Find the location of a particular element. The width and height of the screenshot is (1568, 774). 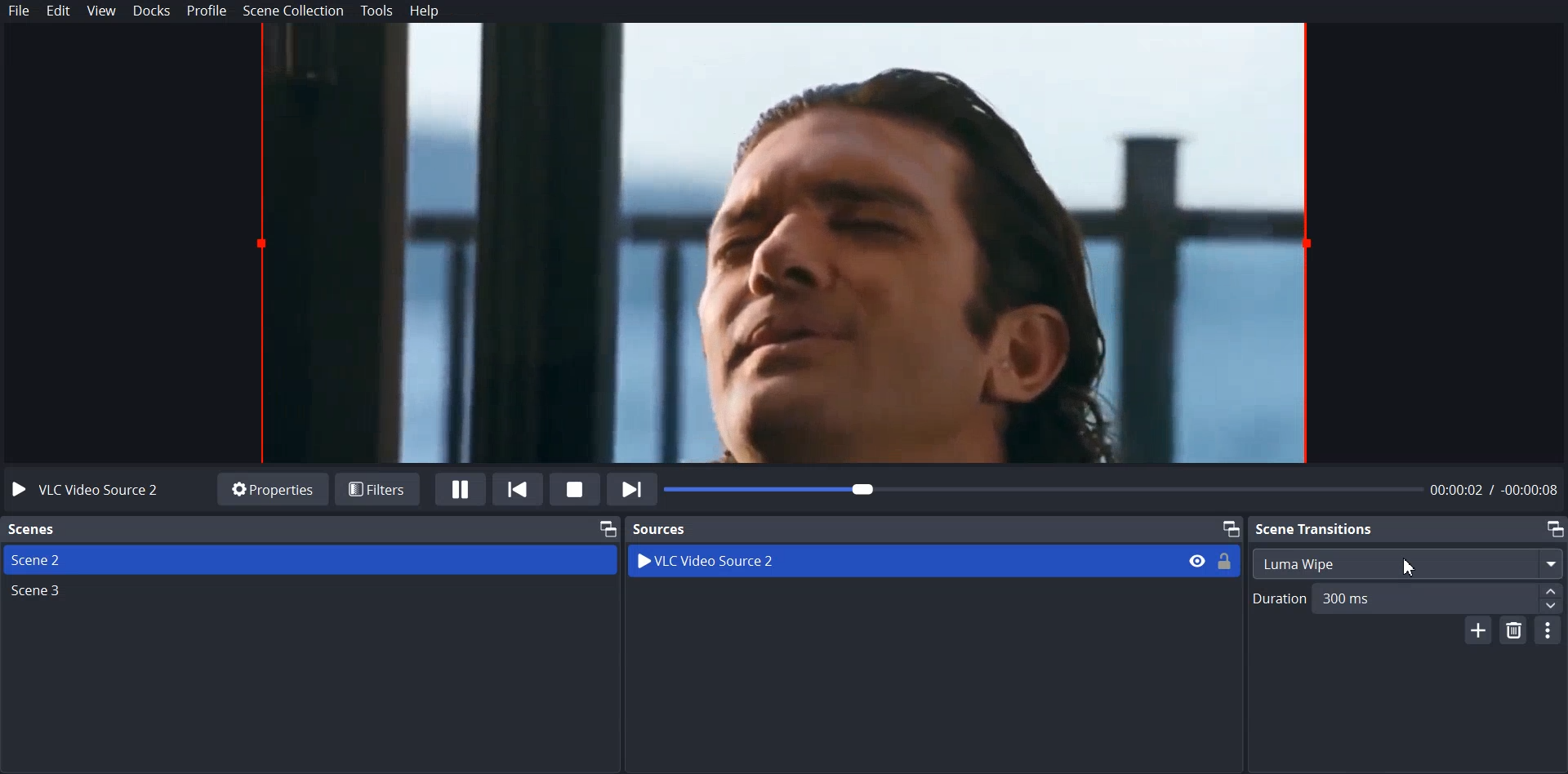

300ms is located at coordinates (1379, 598).